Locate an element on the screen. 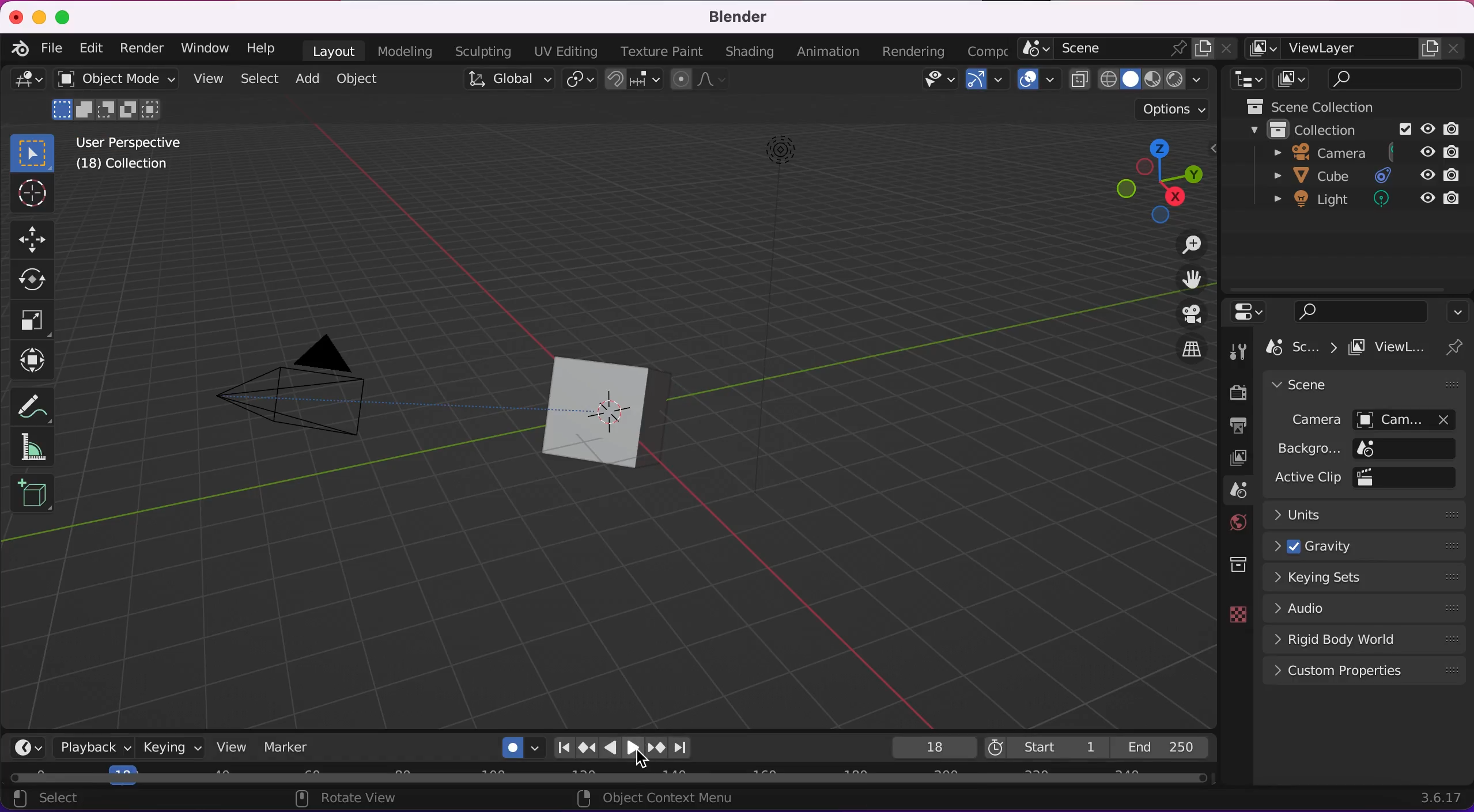 The image size is (1474, 812). close is located at coordinates (16, 17).